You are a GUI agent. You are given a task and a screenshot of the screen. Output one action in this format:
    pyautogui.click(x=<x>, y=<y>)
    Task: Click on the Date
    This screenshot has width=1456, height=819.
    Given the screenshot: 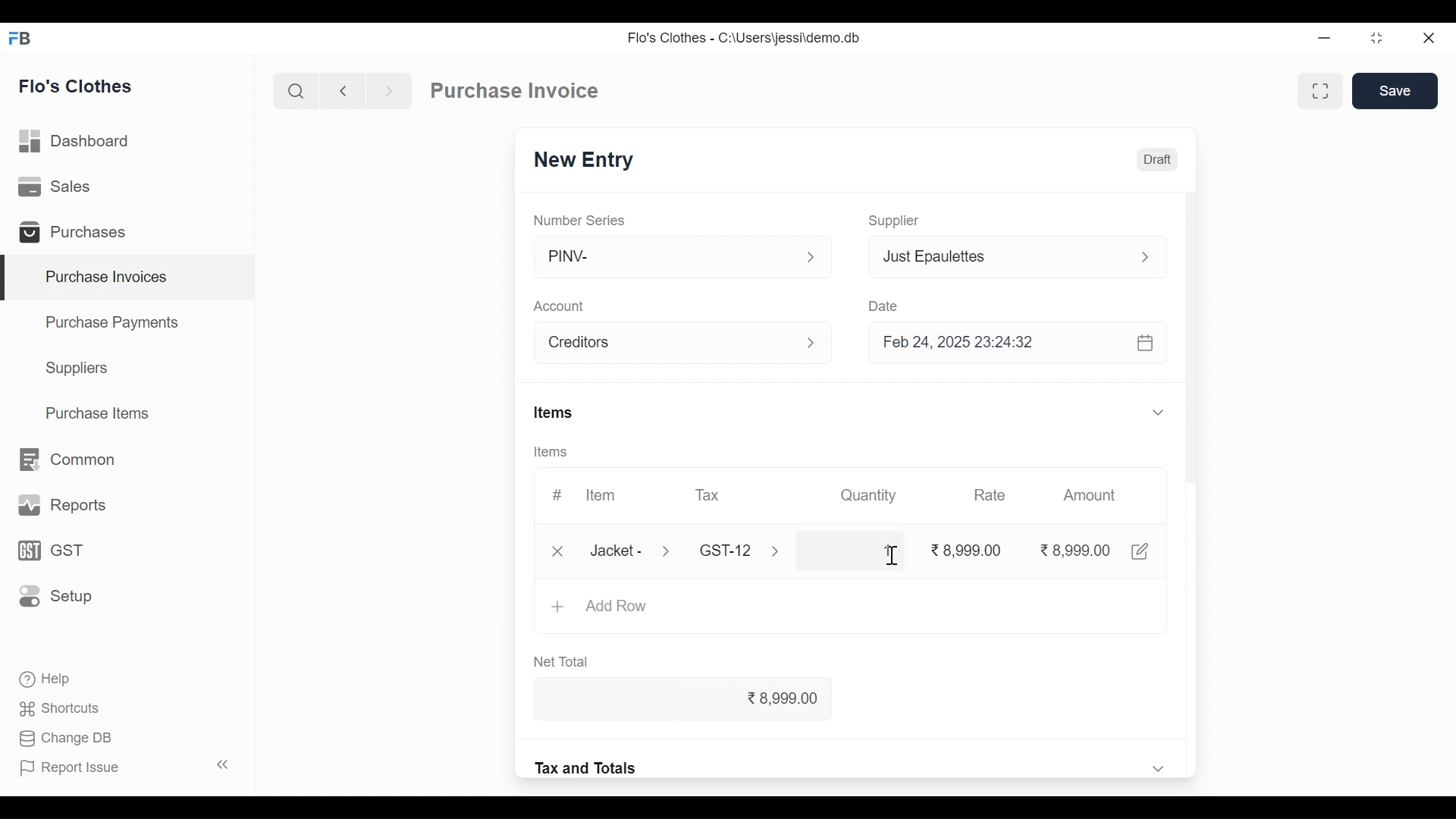 What is the action you would take?
    pyautogui.click(x=883, y=303)
    